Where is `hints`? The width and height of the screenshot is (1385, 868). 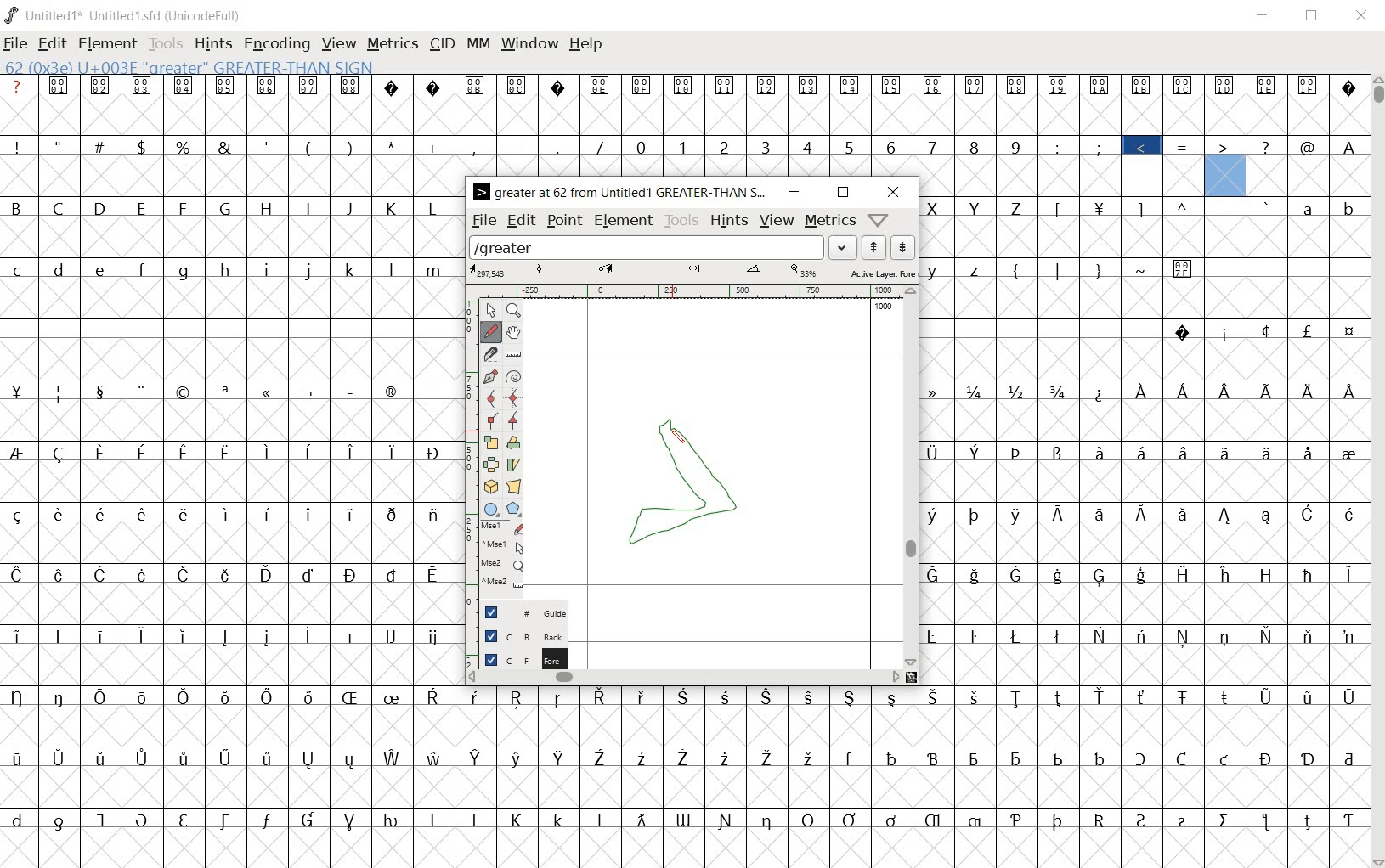
hints is located at coordinates (213, 44).